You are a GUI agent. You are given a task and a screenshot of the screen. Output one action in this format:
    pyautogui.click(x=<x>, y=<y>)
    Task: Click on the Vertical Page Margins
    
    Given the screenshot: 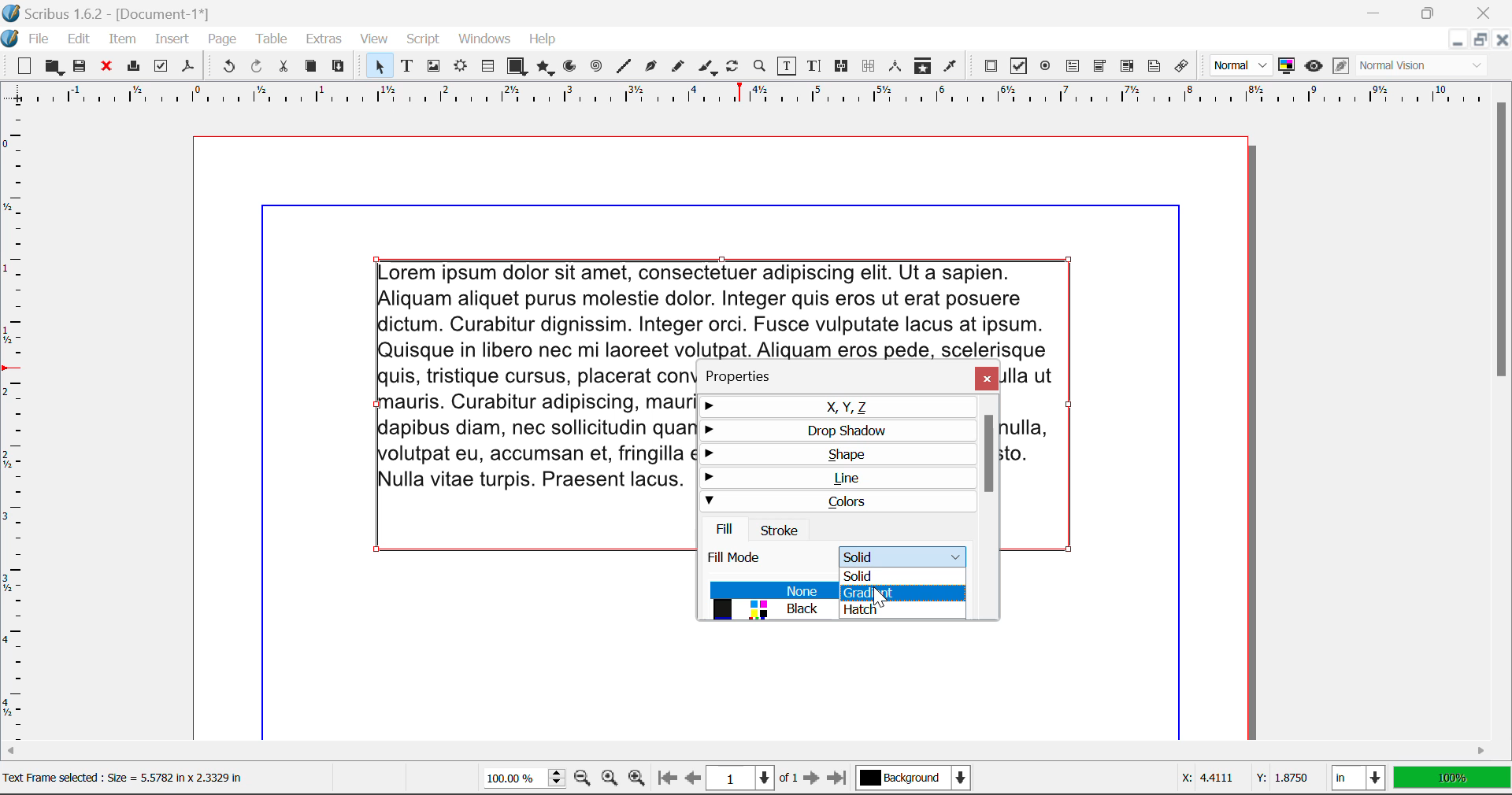 What is the action you would take?
    pyautogui.click(x=755, y=99)
    